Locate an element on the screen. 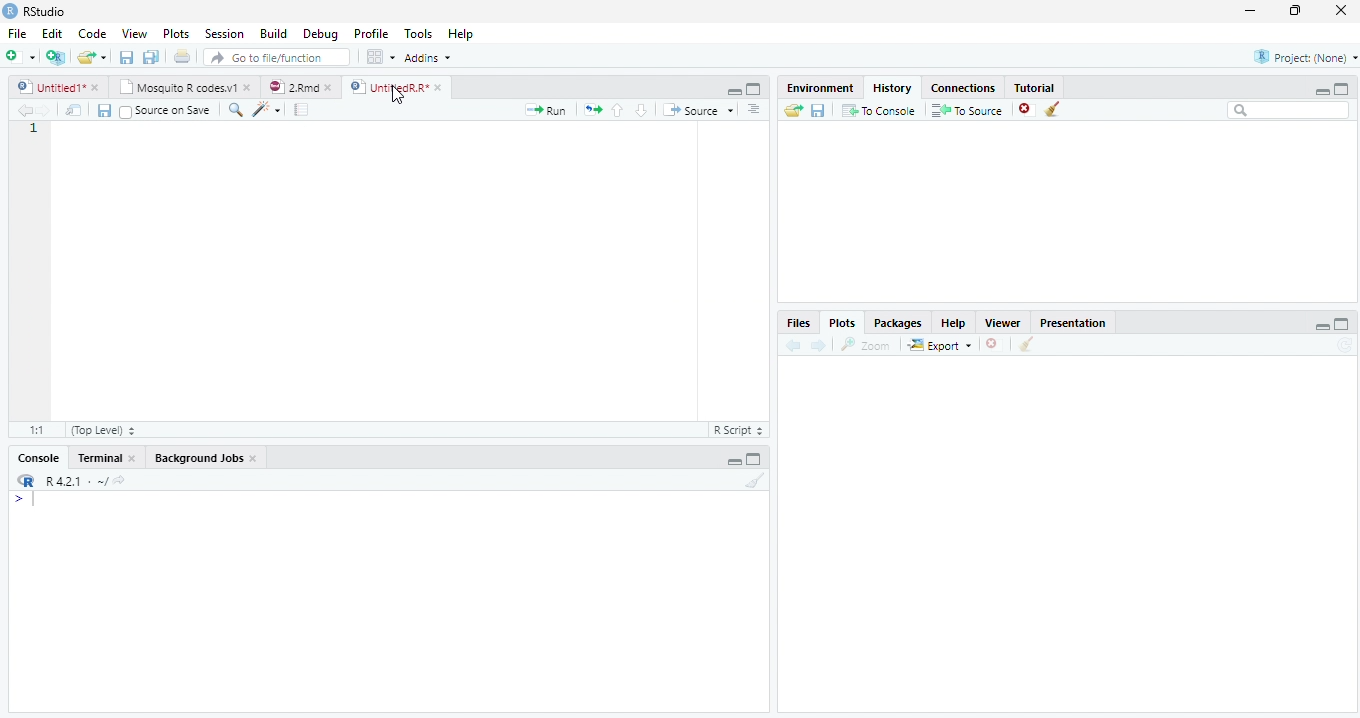 This screenshot has height=718, width=1360. Maximize is located at coordinates (1343, 88).